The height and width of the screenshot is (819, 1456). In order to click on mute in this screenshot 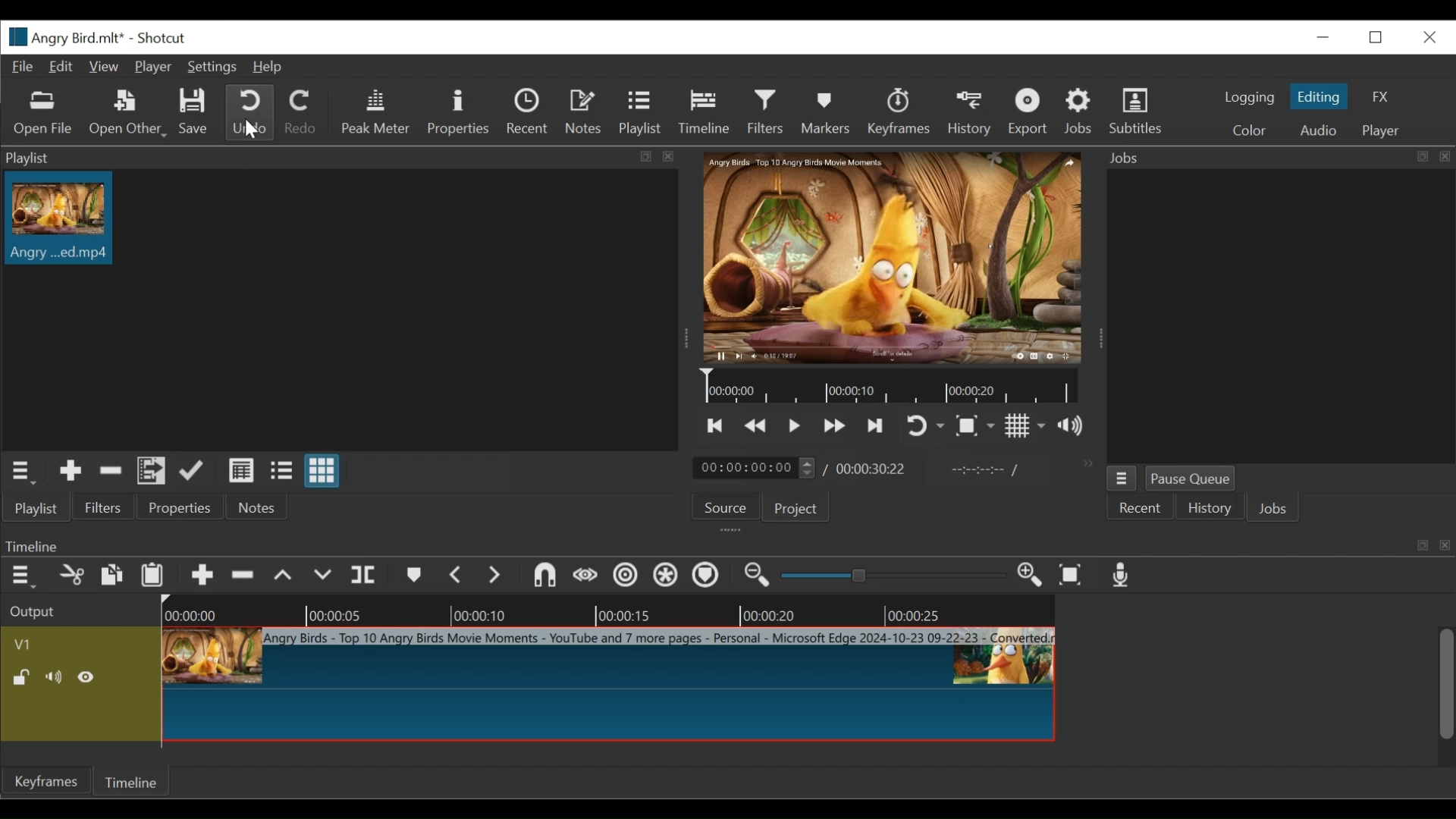, I will do `click(52, 675)`.